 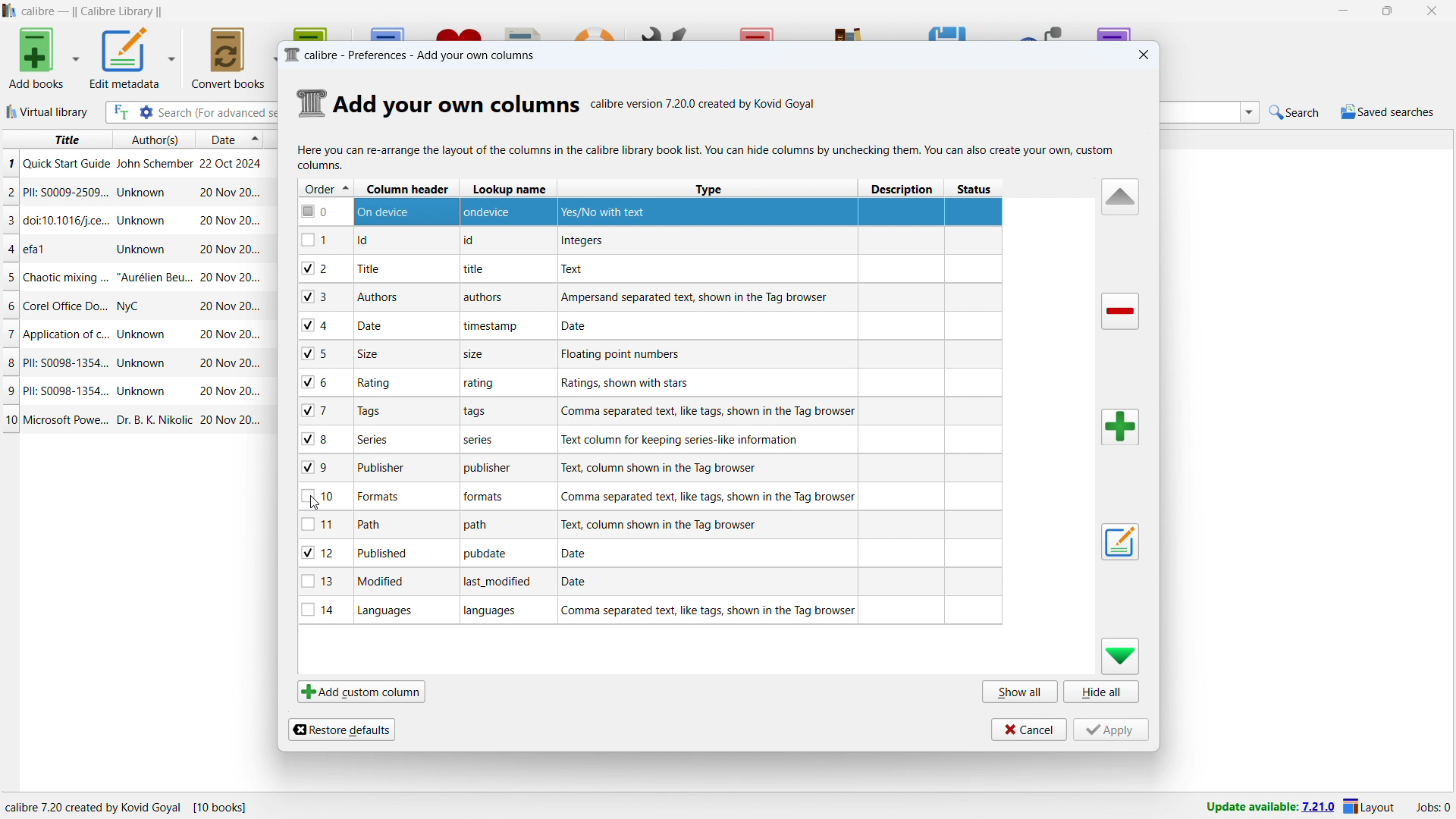 What do you see at coordinates (649, 495) in the screenshot?
I see `Formats formats. Comma separated text, like tags, shown in the Tag browser` at bounding box center [649, 495].